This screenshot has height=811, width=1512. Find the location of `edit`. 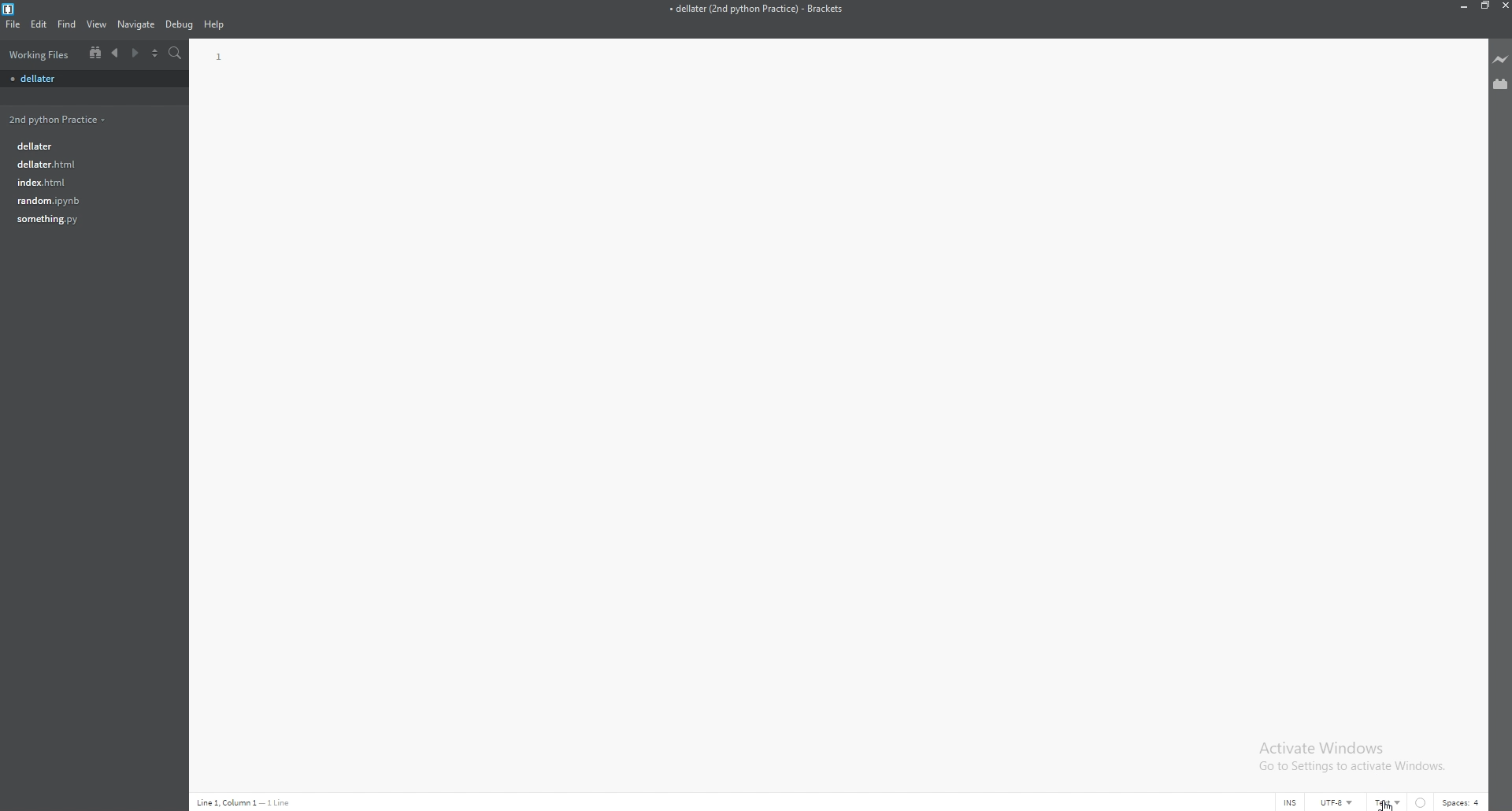

edit is located at coordinates (38, 24).